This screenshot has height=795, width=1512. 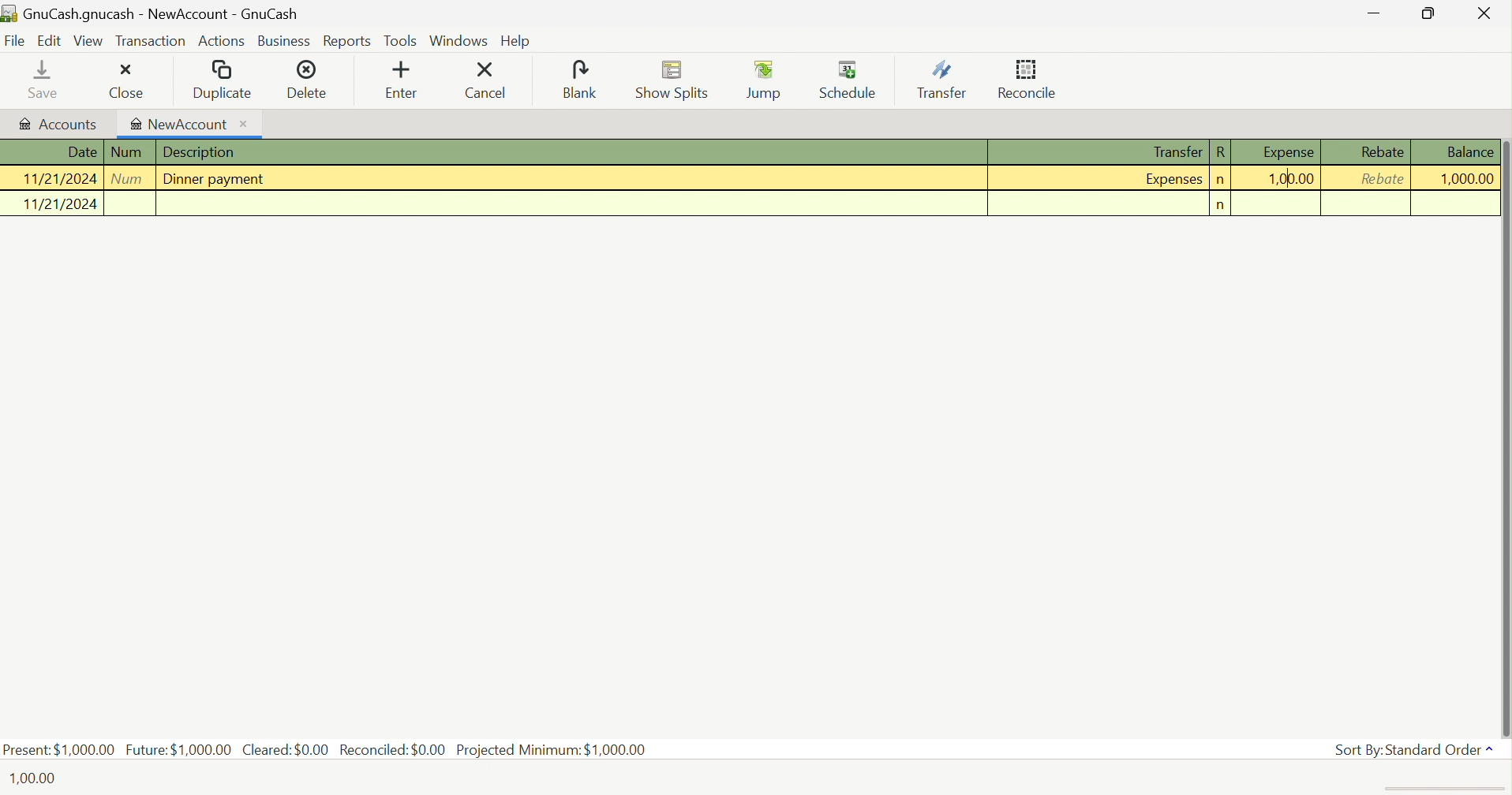 What do you see at coordinates (580, 79) in the screenshot?
I see `Blank` at bounding box center [580, 79].